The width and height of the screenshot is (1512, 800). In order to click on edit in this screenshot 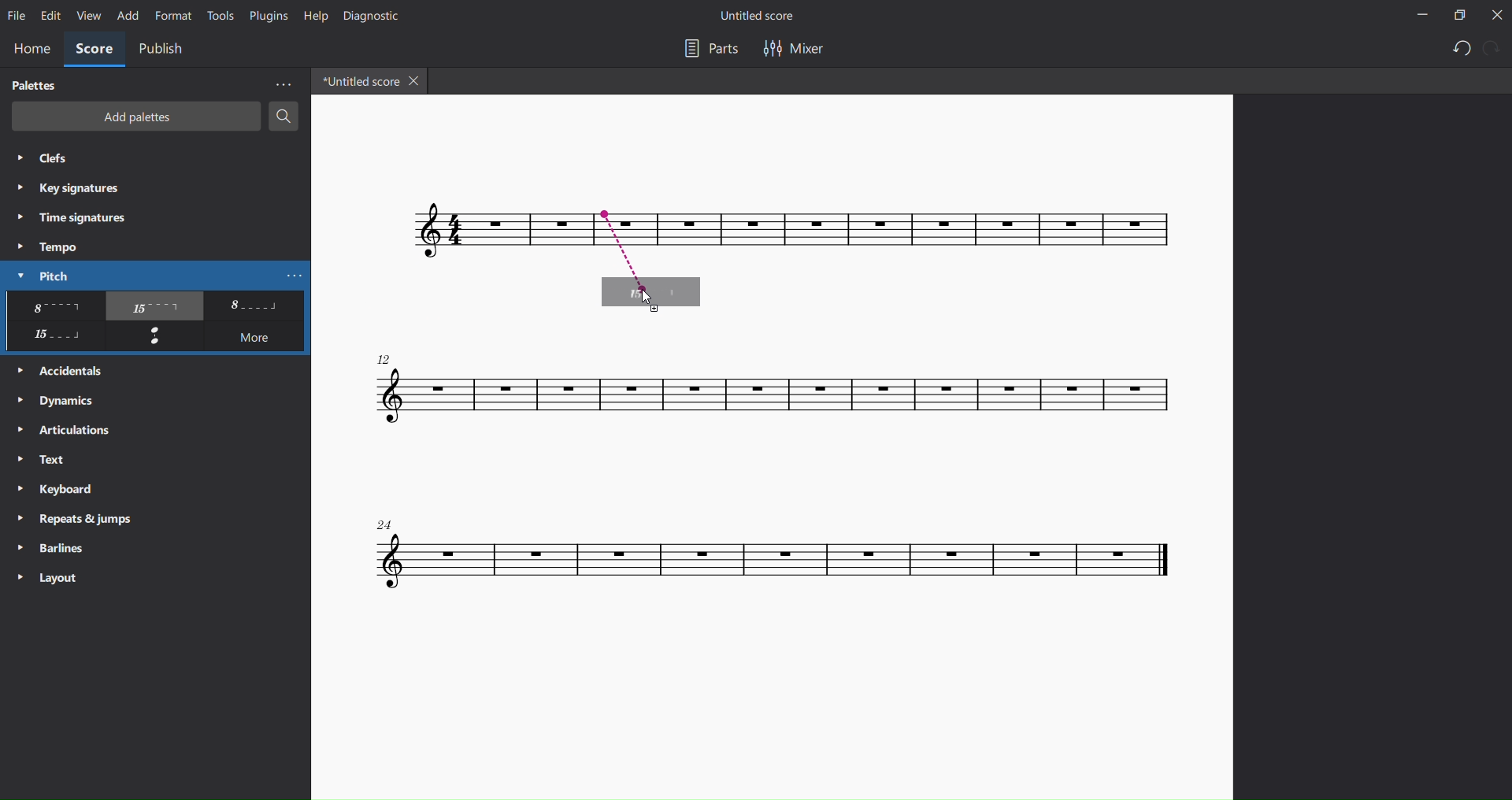, I will do `click(49, 17)`.